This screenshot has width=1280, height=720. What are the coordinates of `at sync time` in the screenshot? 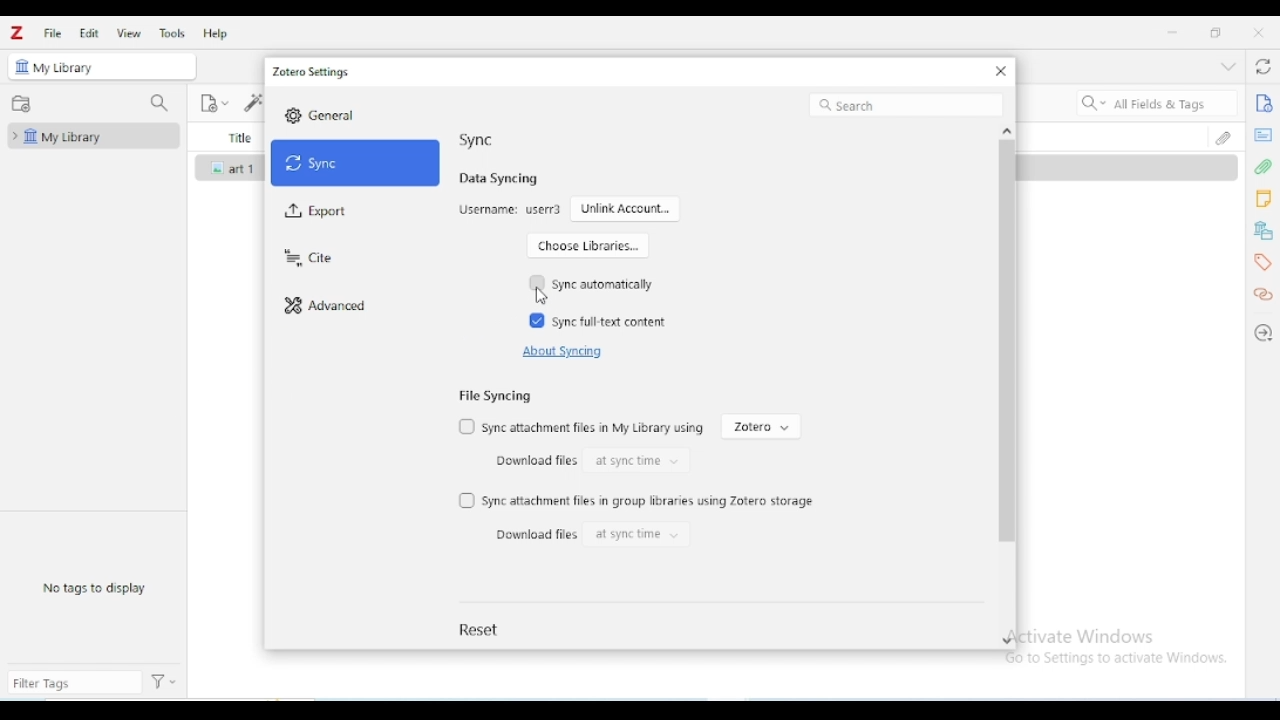 It's located at (637, 460).